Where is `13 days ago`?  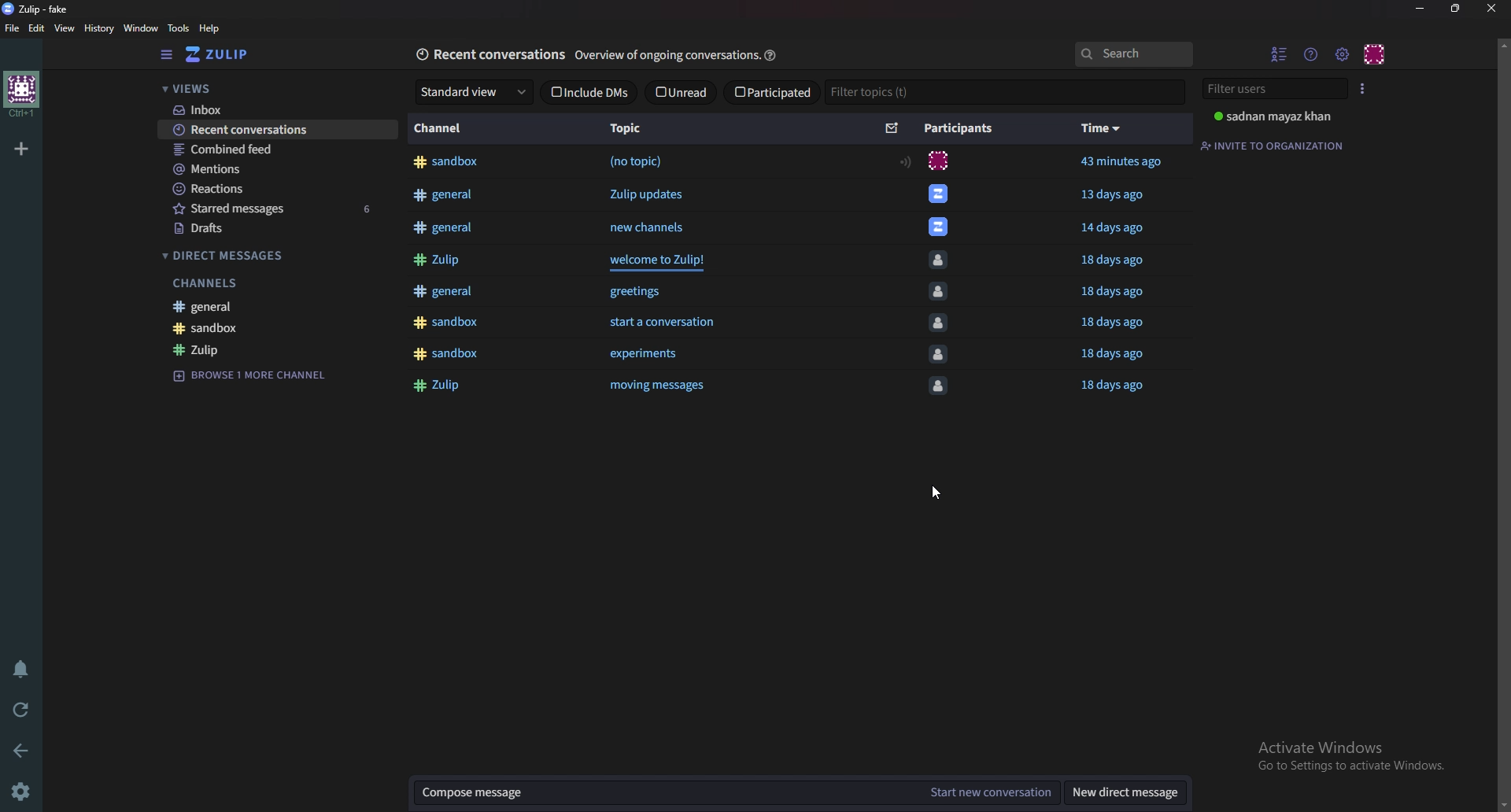 13 days ago is located at coordinates (1118, 195).